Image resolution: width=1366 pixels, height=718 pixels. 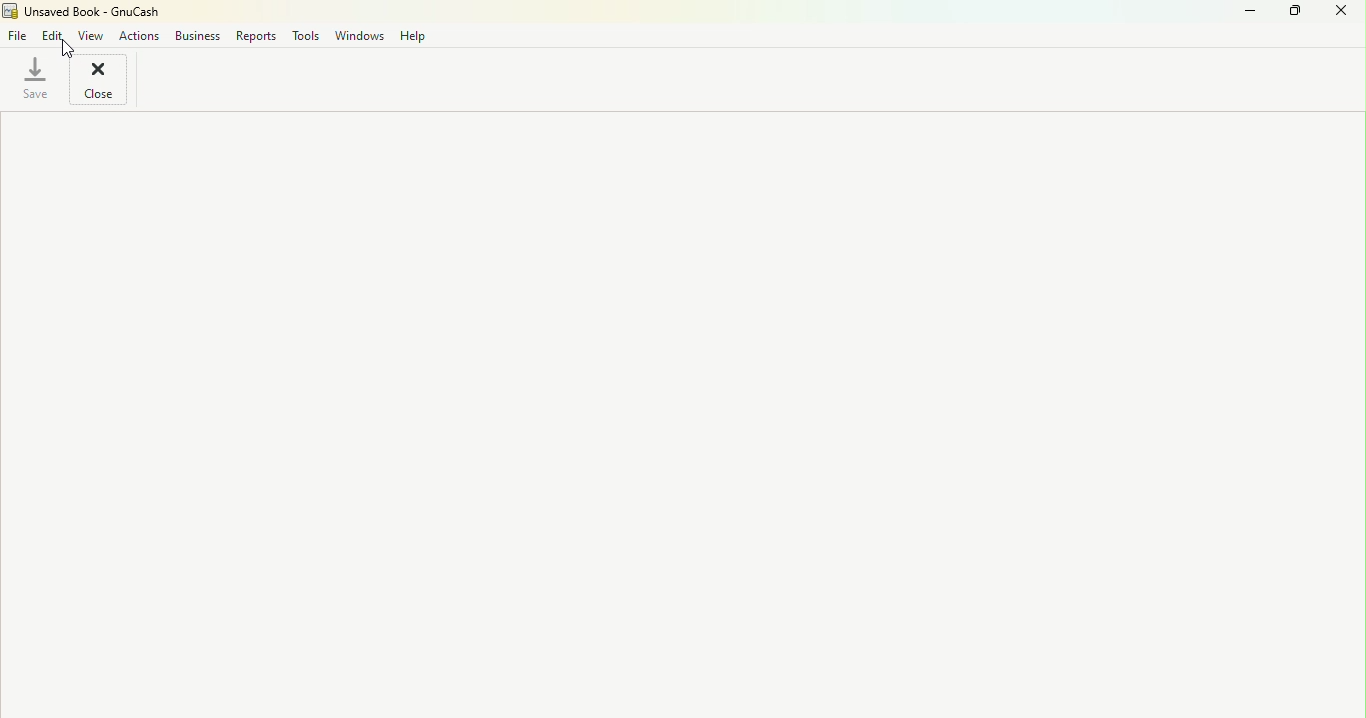 I want to click on View, so click(x=89, y=36).